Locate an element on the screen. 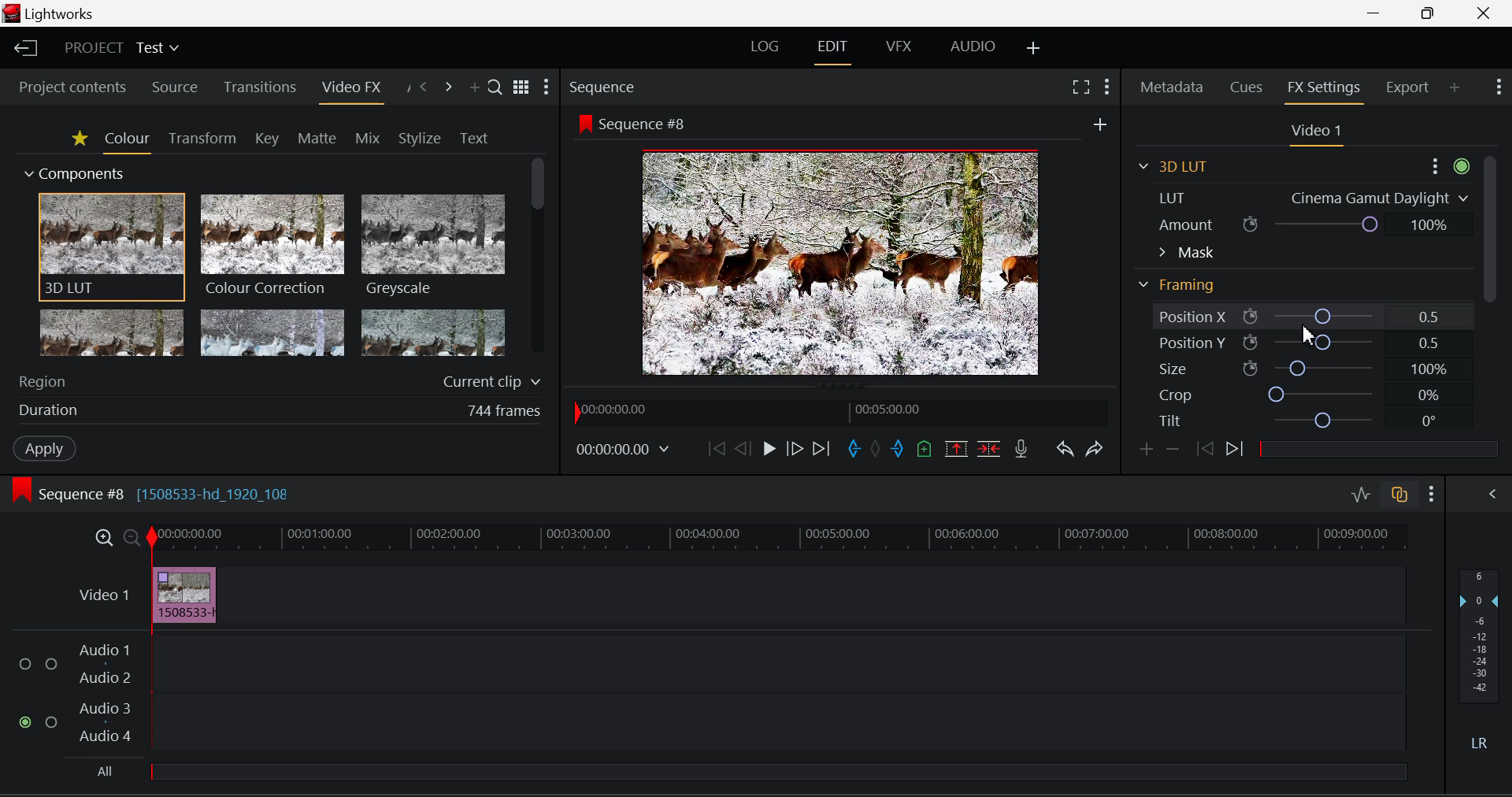 Image resolution: width=1512 pixels, height=797 pixels. Apply is located at coordinates (42, 449).